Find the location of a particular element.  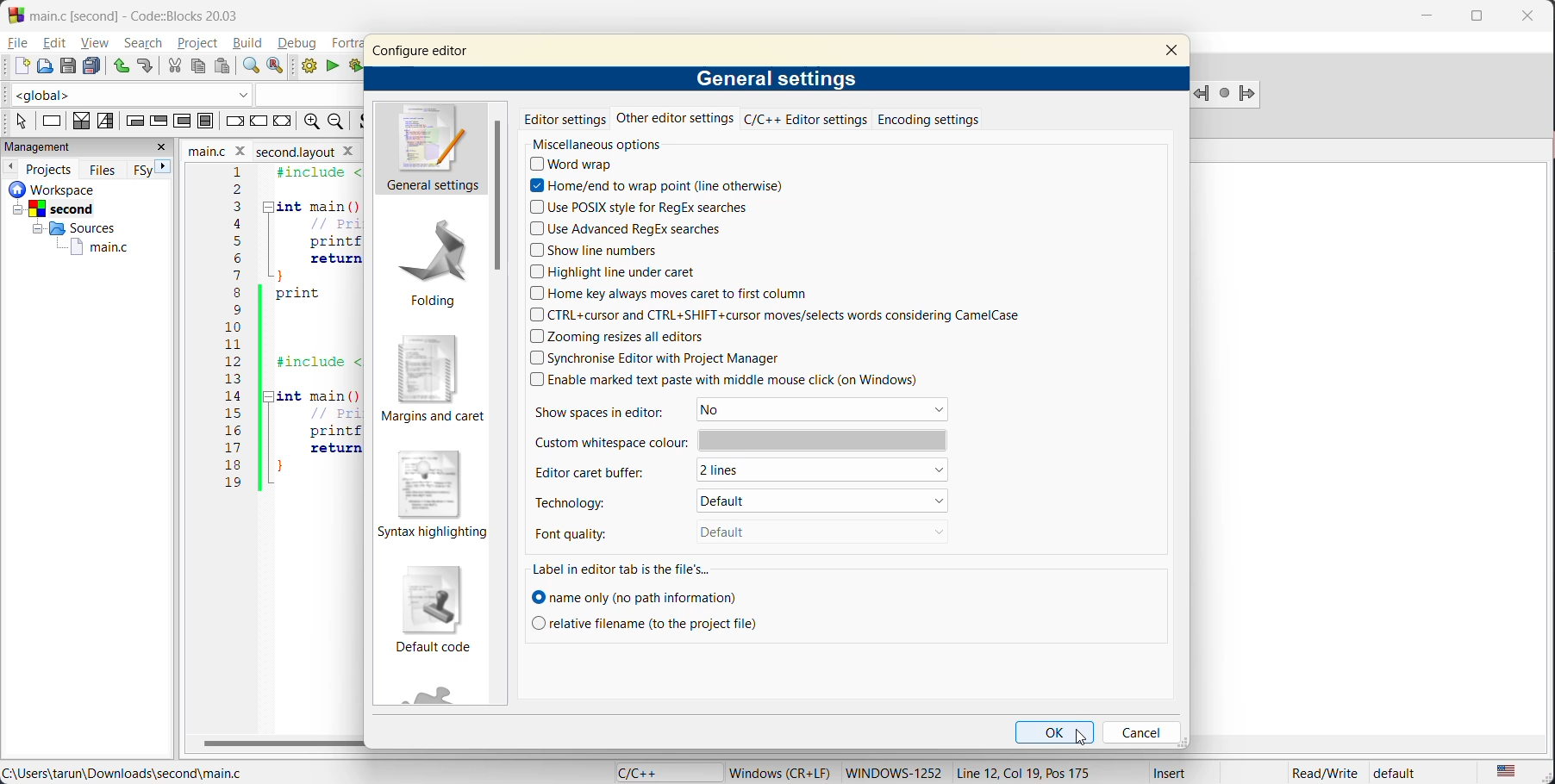

custom whitespace colour is located at coordinates (739, 440).